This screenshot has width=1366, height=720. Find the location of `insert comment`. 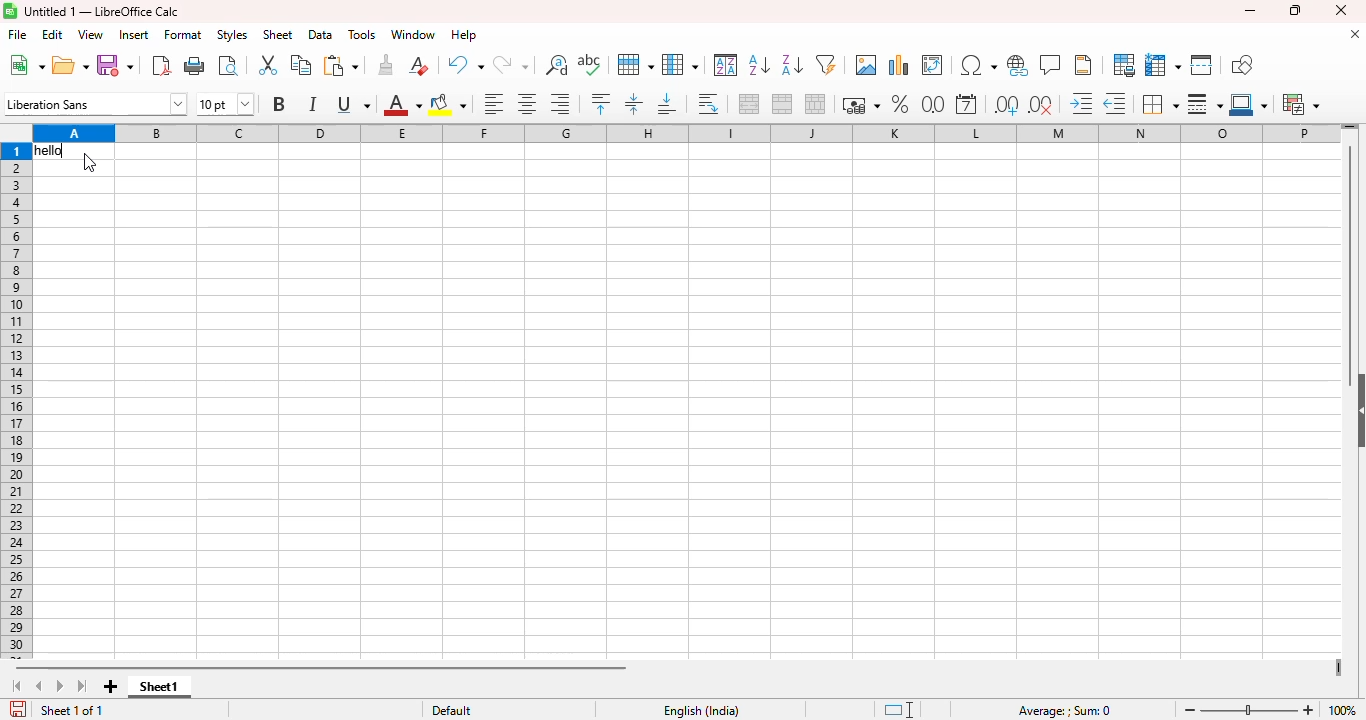

insert comment is located at coordinates (1051, 64).